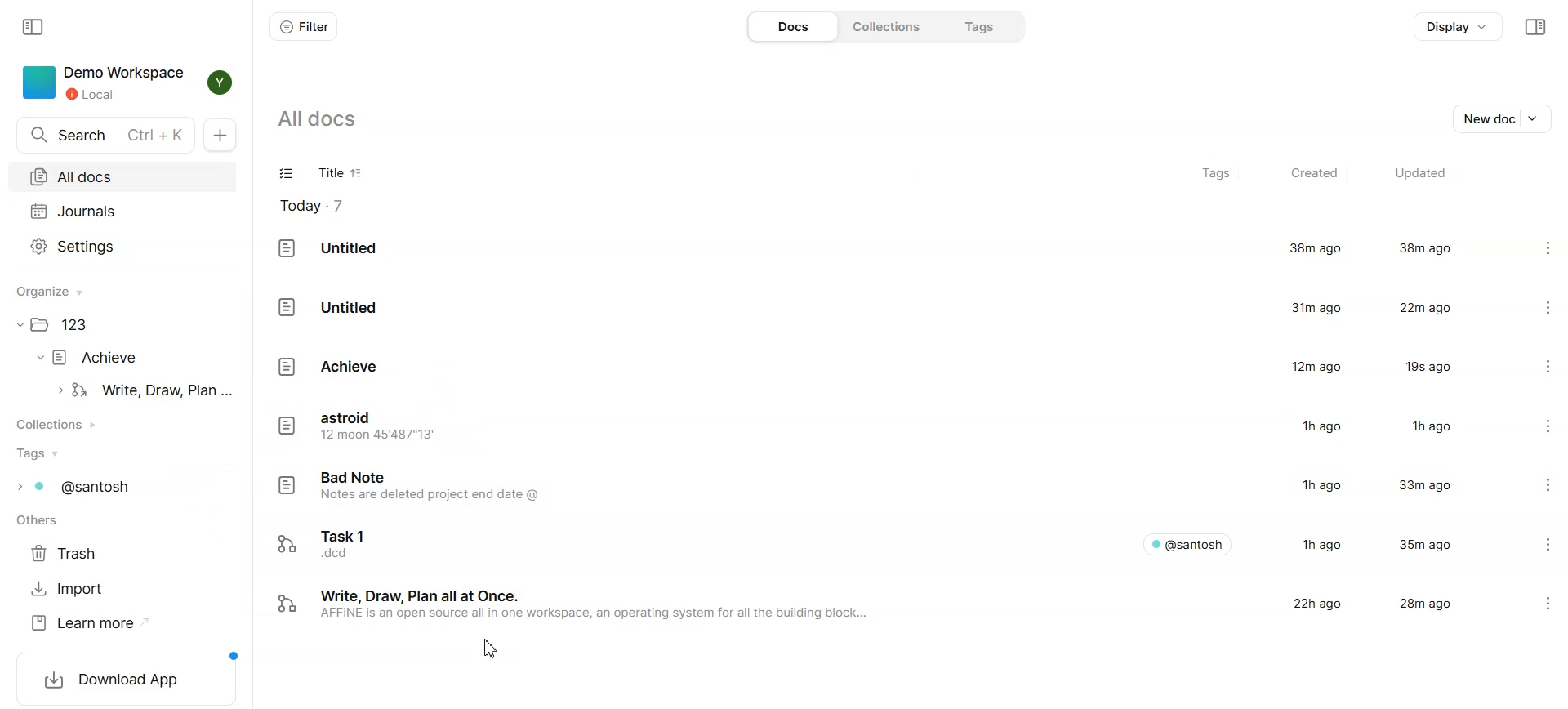 The height and width of the screenshot is (709, 1568). Describe the element at coordinates (328, 118) in the screenshot. I see `all docs` at that location.